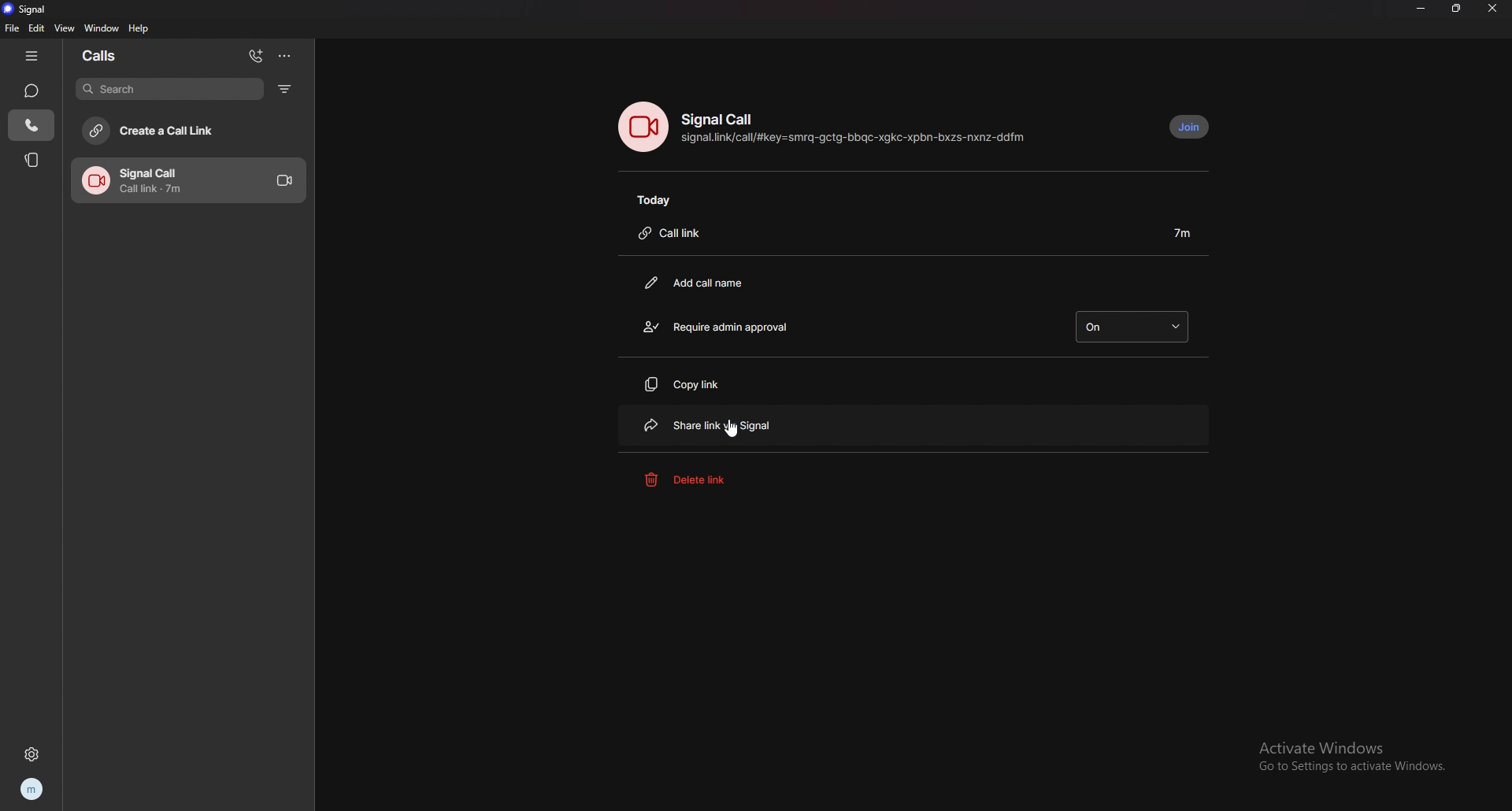 The width and height of the screenshot is (1512, 811). What do you see at coordinates (187, 130) in the screenshot?
I see `create a call link` at bounding box center [187, 130].